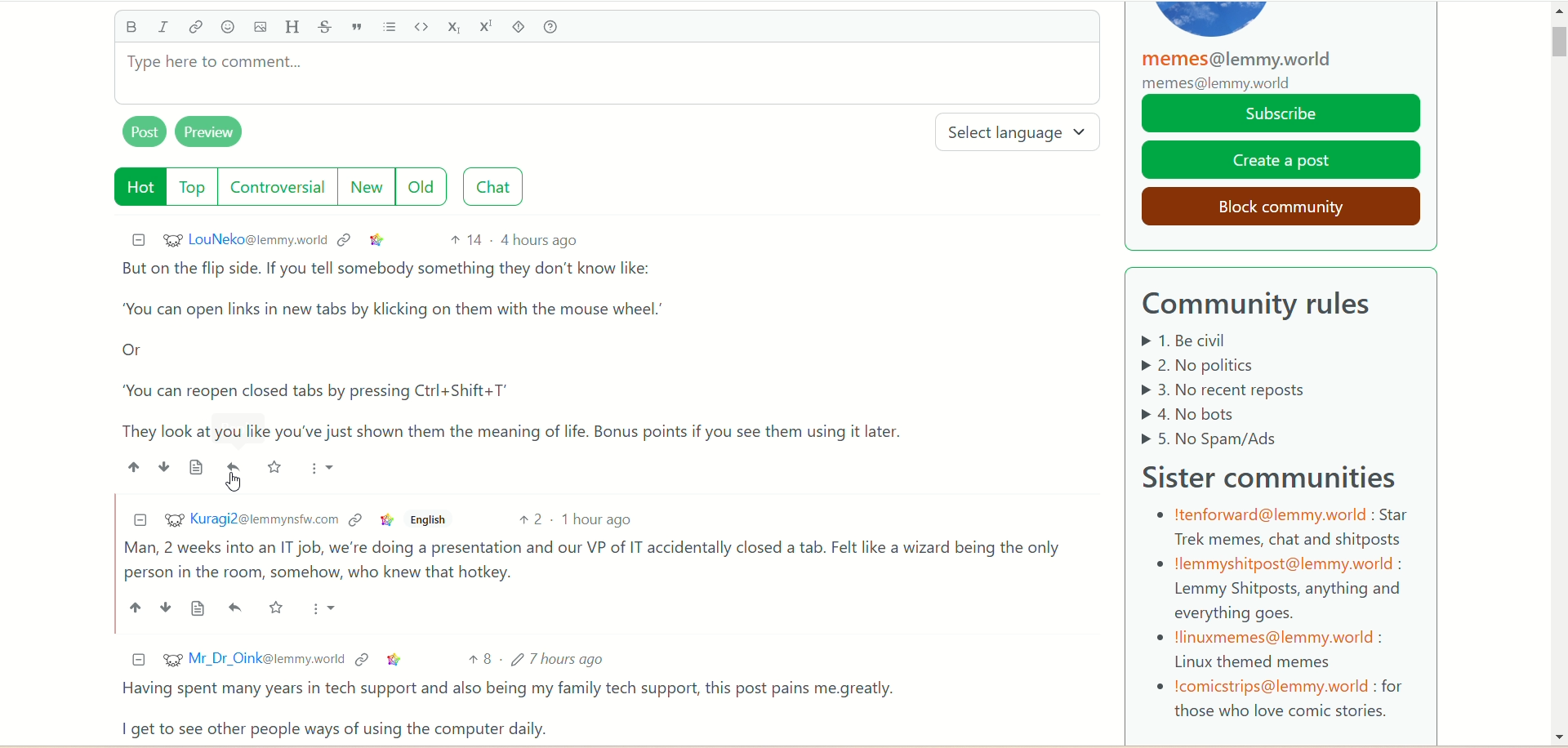 This screenshot has width=1568, height=748. Describe the element at coordinates (479, 659) in the screenshot. I see `8 votes up` at that location.